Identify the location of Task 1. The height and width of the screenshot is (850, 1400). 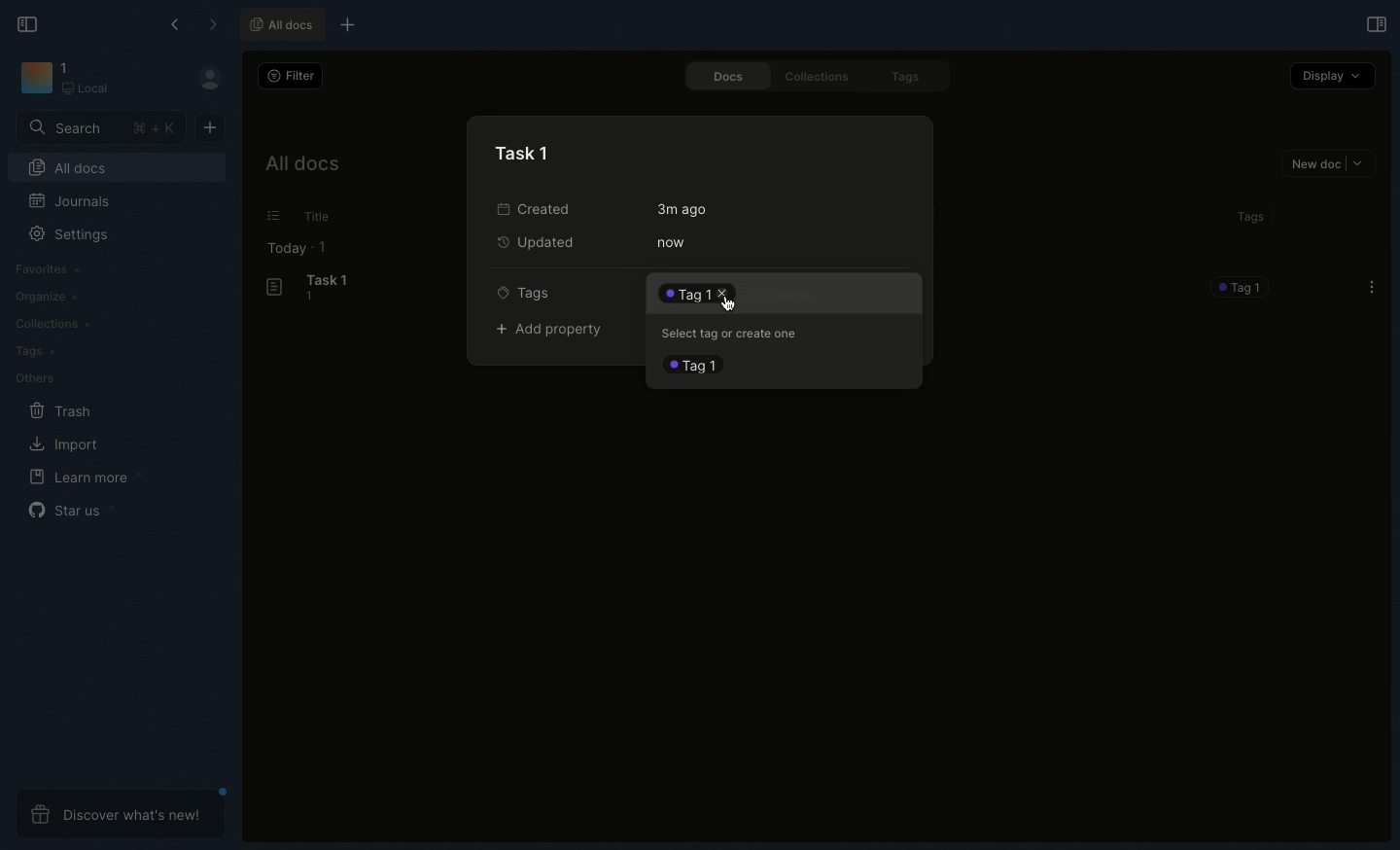
(525, 152).